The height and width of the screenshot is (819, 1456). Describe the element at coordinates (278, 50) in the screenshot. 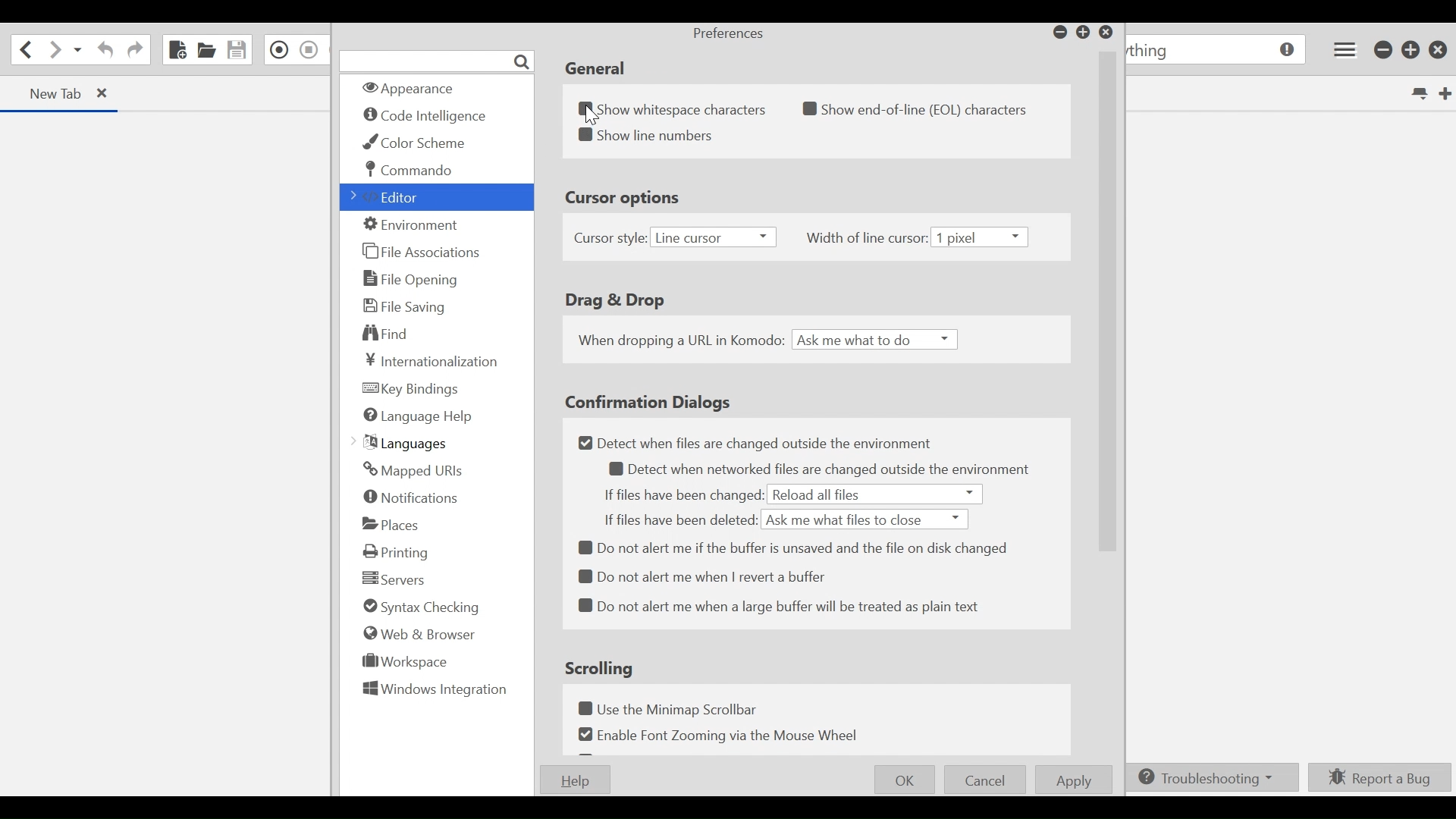

I see `Recording in Macro` at that location.